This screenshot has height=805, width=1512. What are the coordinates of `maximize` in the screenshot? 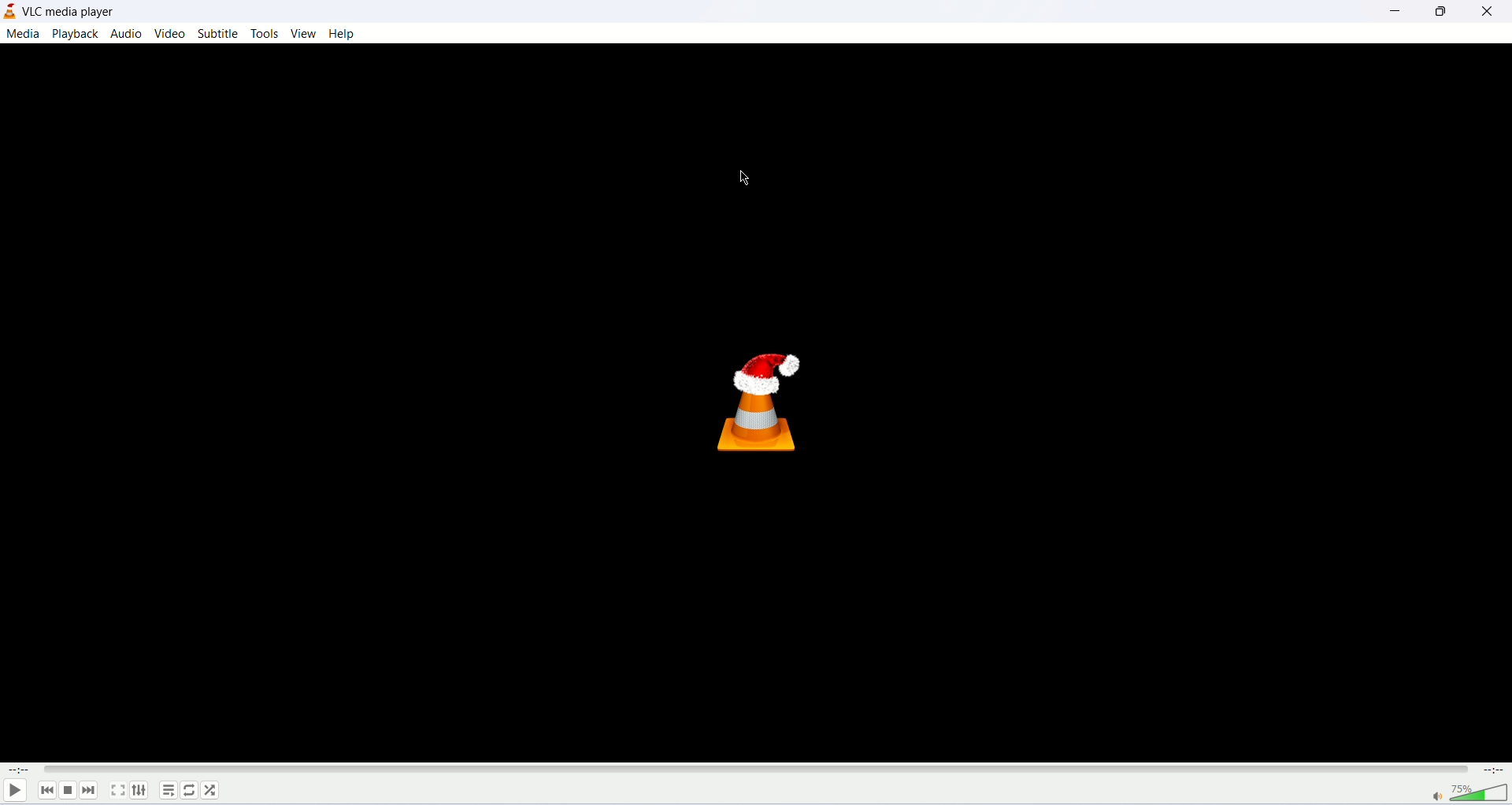 It's located at (1440, 14).